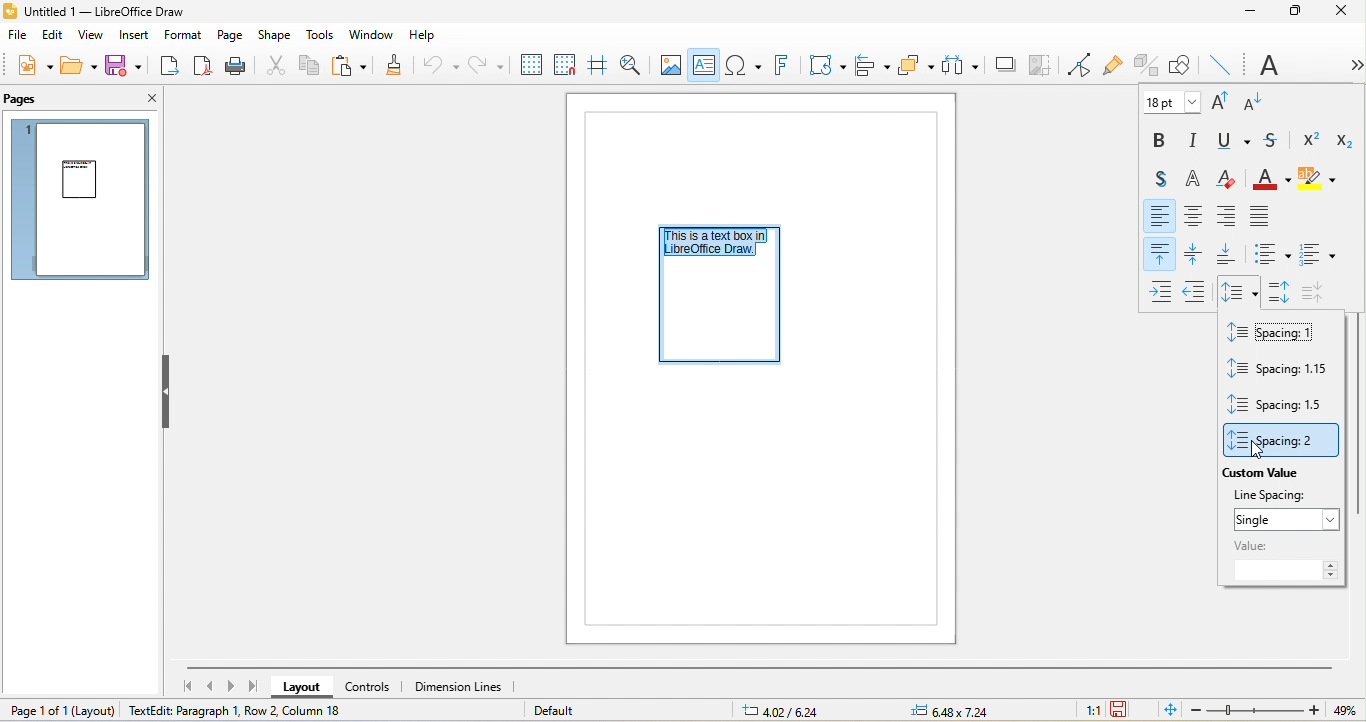 This screenshot has height=722, width=1366. I want to click on text box, so click(705, 65).